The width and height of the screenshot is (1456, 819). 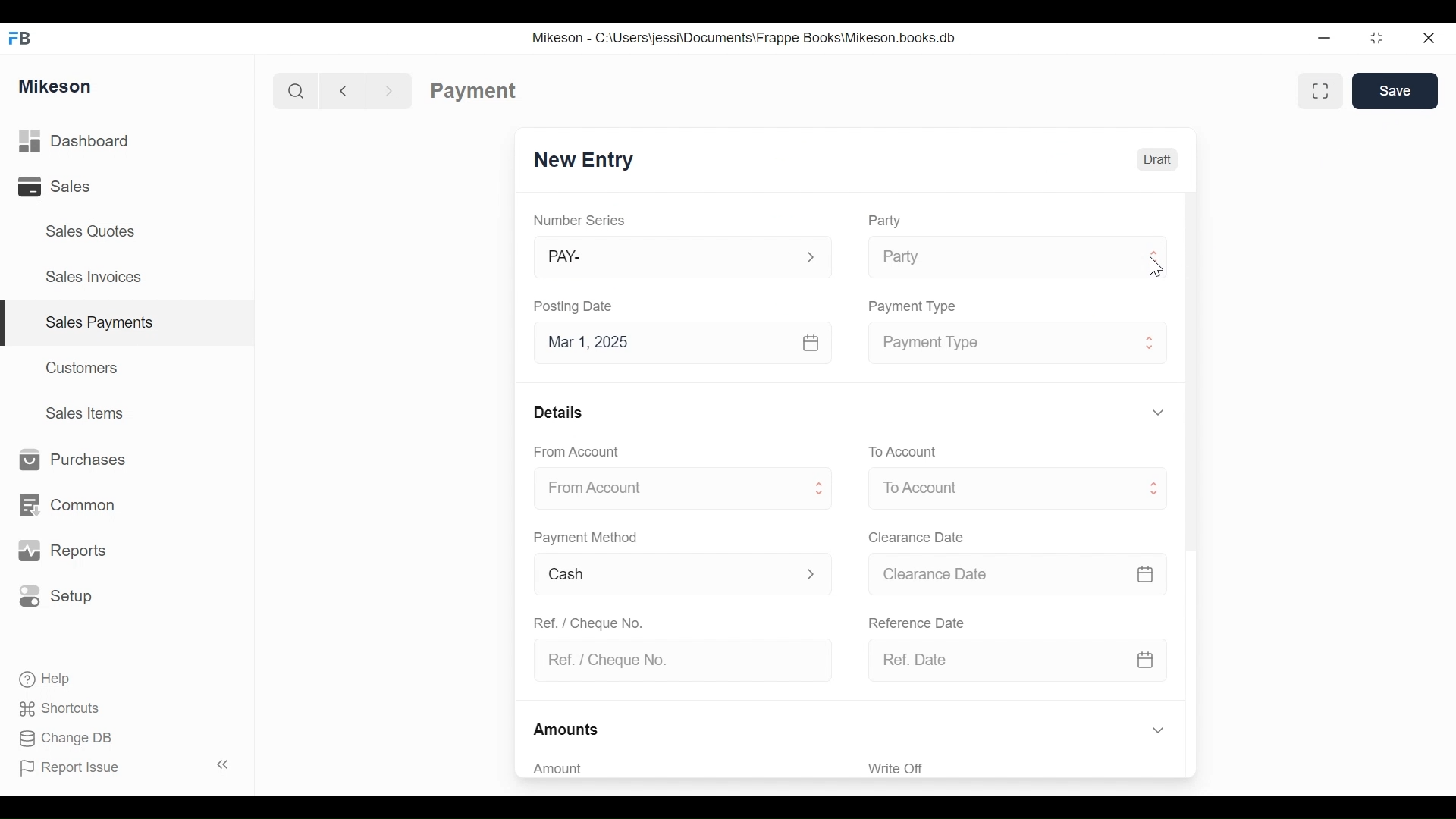 I want to click on Purchases, so click(x=72, y=460).